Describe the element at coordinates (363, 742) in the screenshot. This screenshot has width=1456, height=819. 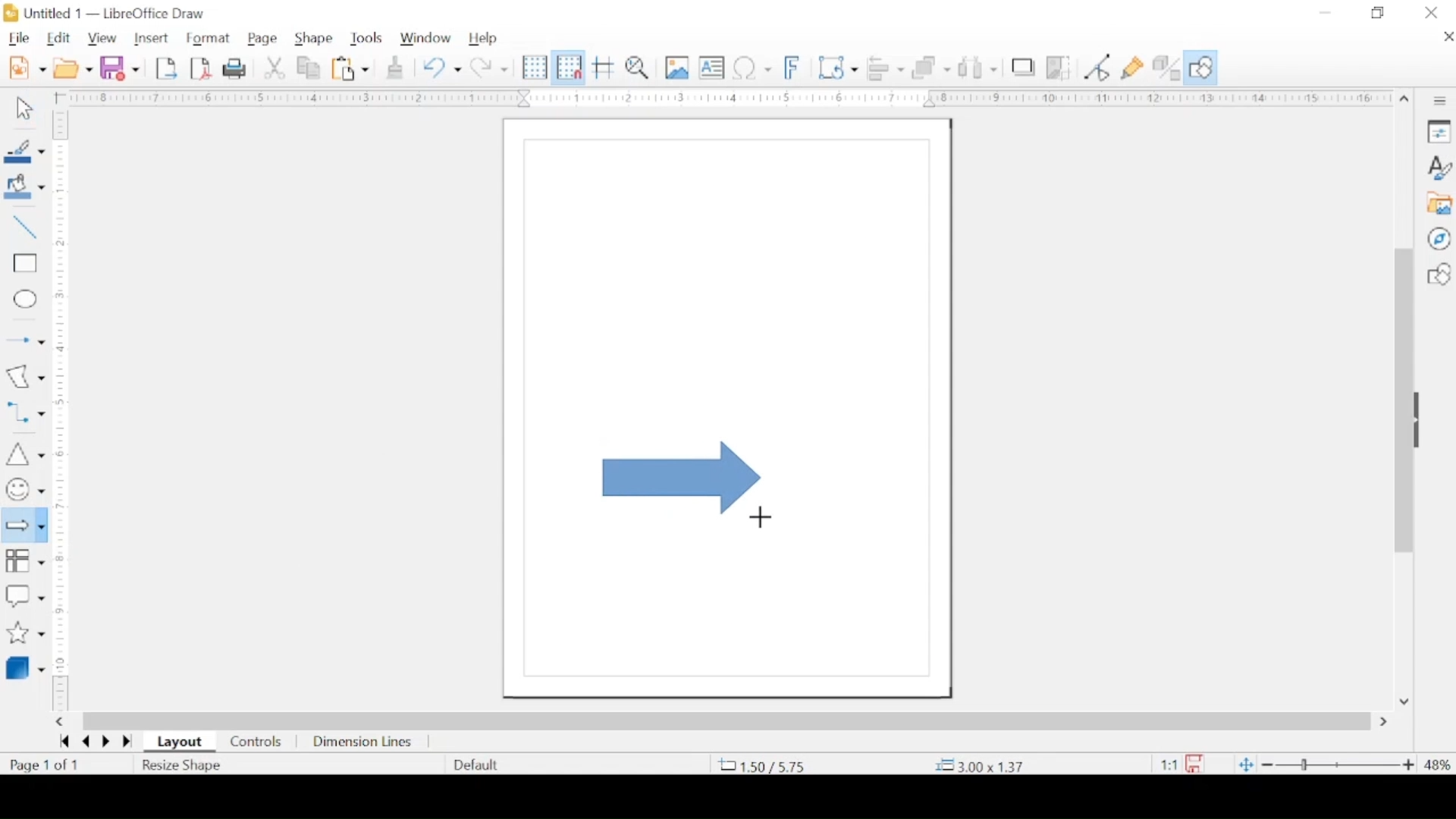
I see `dimension lines` at that location.